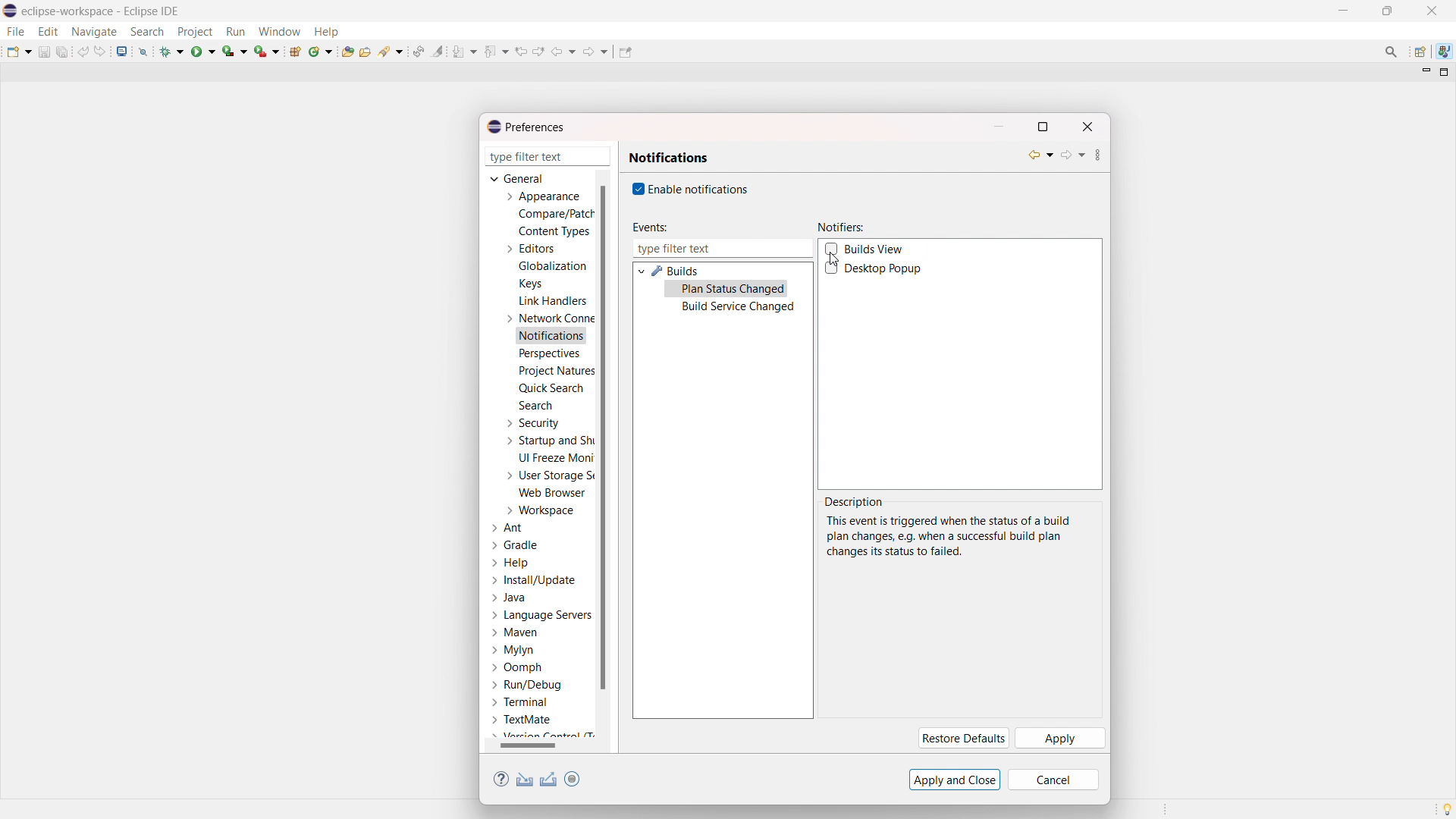  Describe the element at coordinates (19, 51) in the screenshot. I see `new` at that location.